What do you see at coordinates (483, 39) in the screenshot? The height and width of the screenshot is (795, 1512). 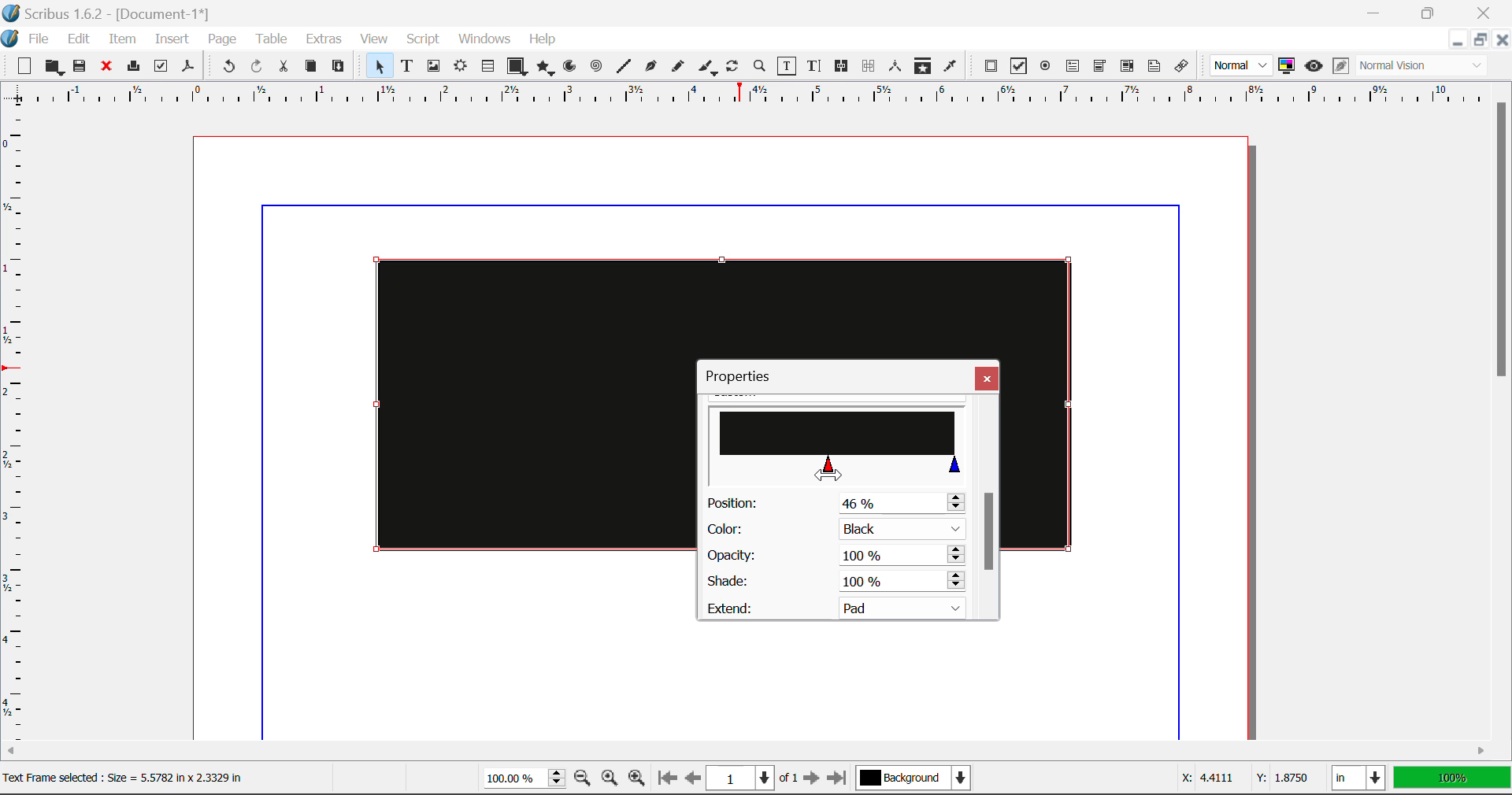 I see `Windows` at bounding box center [483, 39].